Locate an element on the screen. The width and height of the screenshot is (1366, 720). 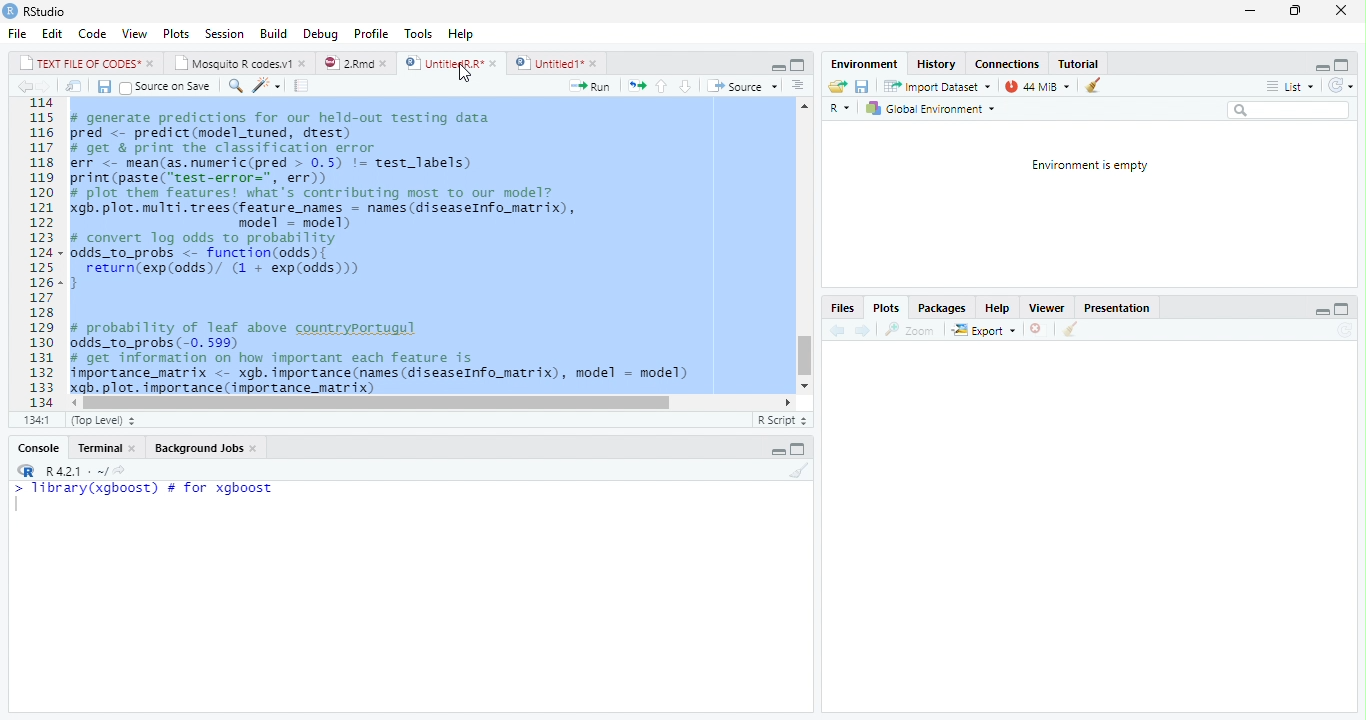
Scroll is located at coordinates (805, 245).